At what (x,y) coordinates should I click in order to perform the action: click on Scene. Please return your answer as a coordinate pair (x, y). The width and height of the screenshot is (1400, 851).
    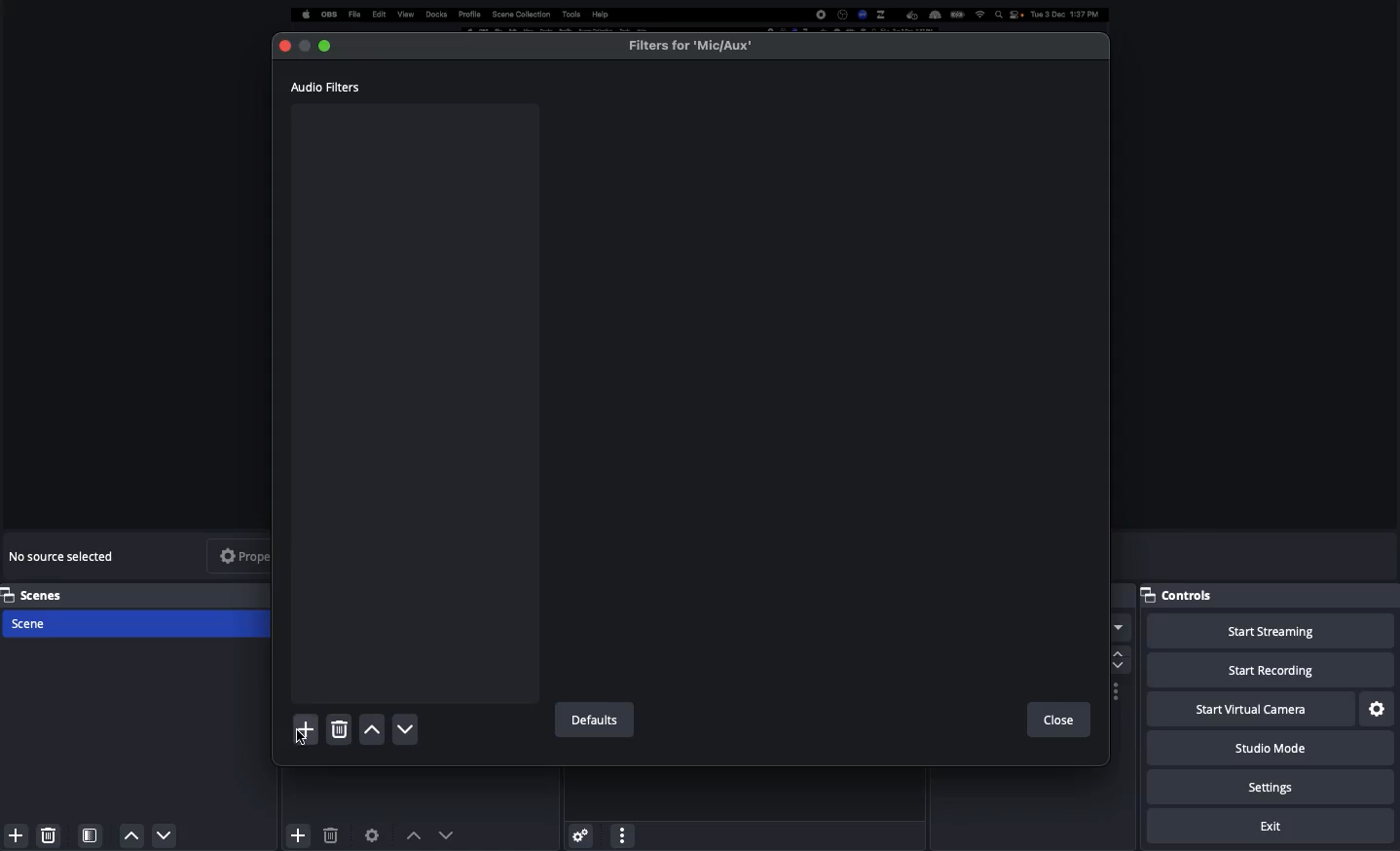
    Looking at the image, I should click on (139, 625).